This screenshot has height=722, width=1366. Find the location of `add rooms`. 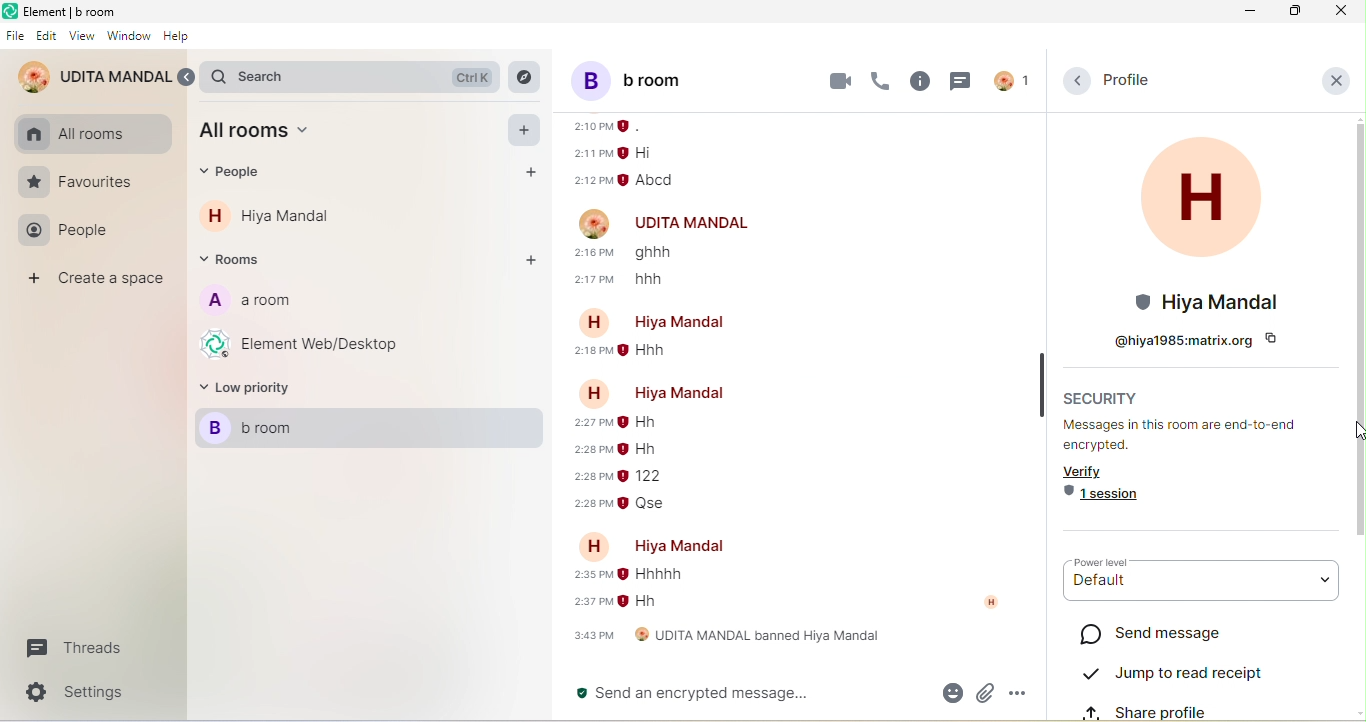

add rooms is located at coordinates (529, 260).